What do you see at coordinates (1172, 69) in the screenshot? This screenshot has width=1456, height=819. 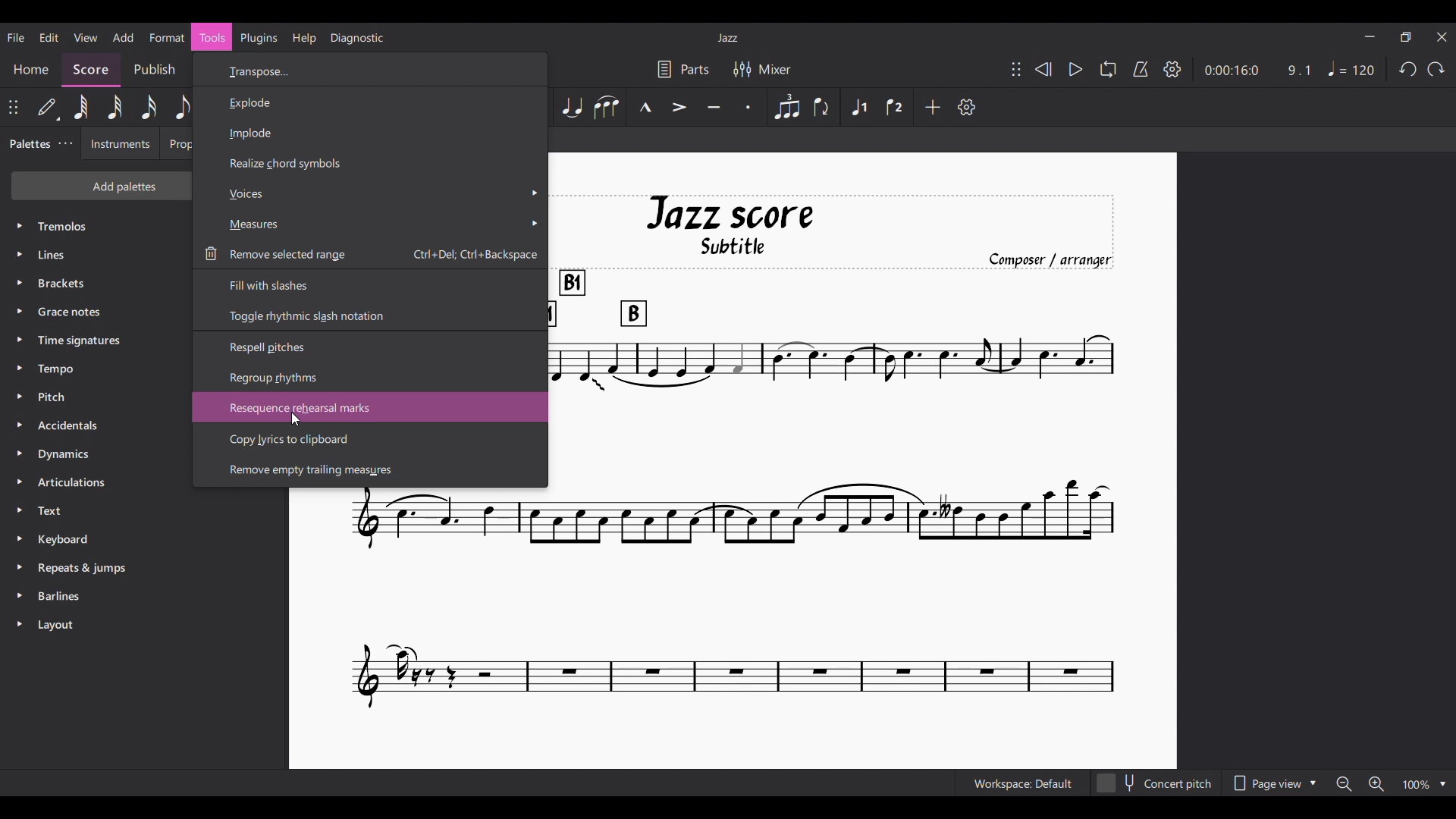 I see `Settings` at bounding box center [1172, 69].